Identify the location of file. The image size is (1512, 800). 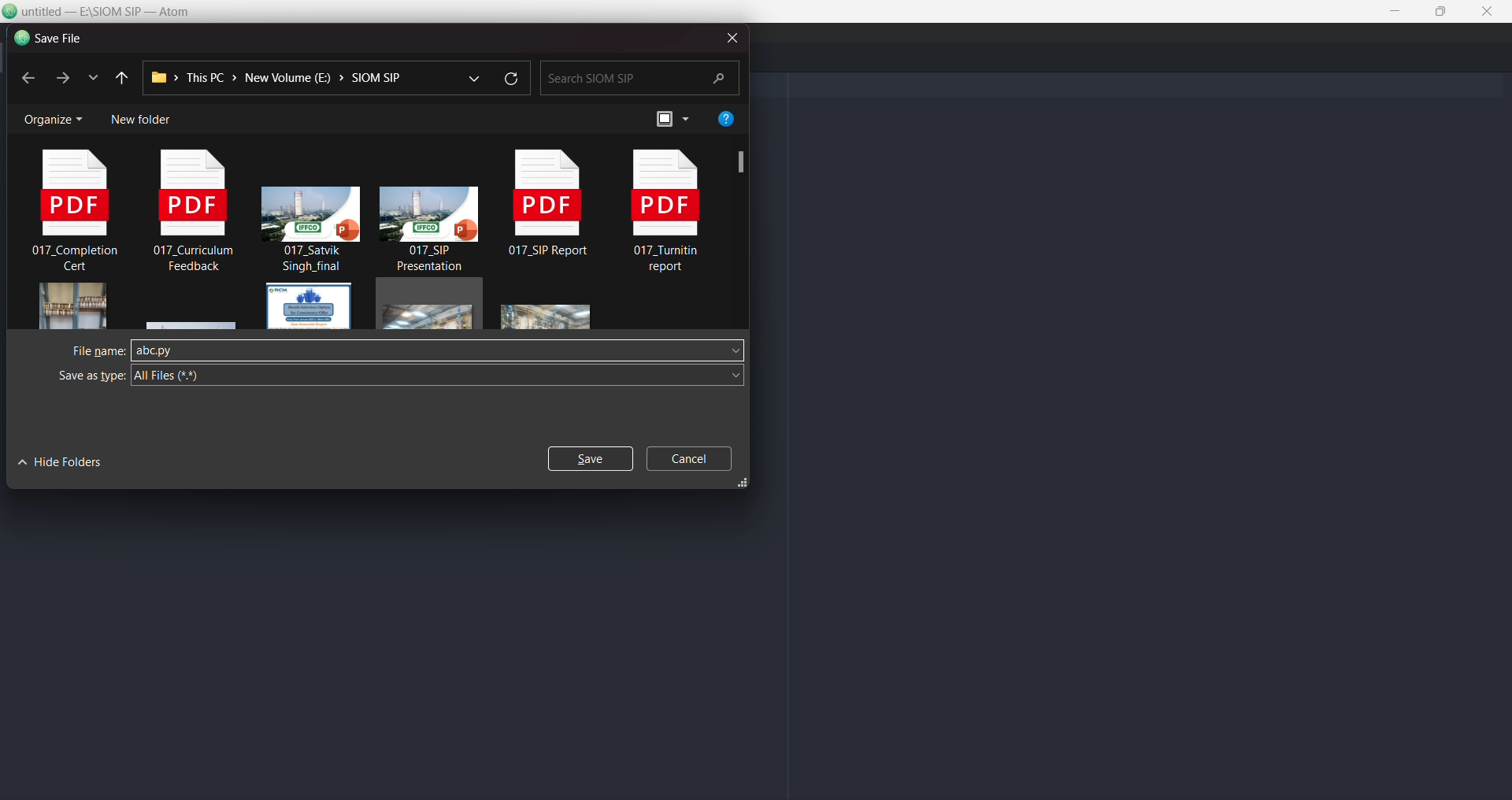
(193, 325).